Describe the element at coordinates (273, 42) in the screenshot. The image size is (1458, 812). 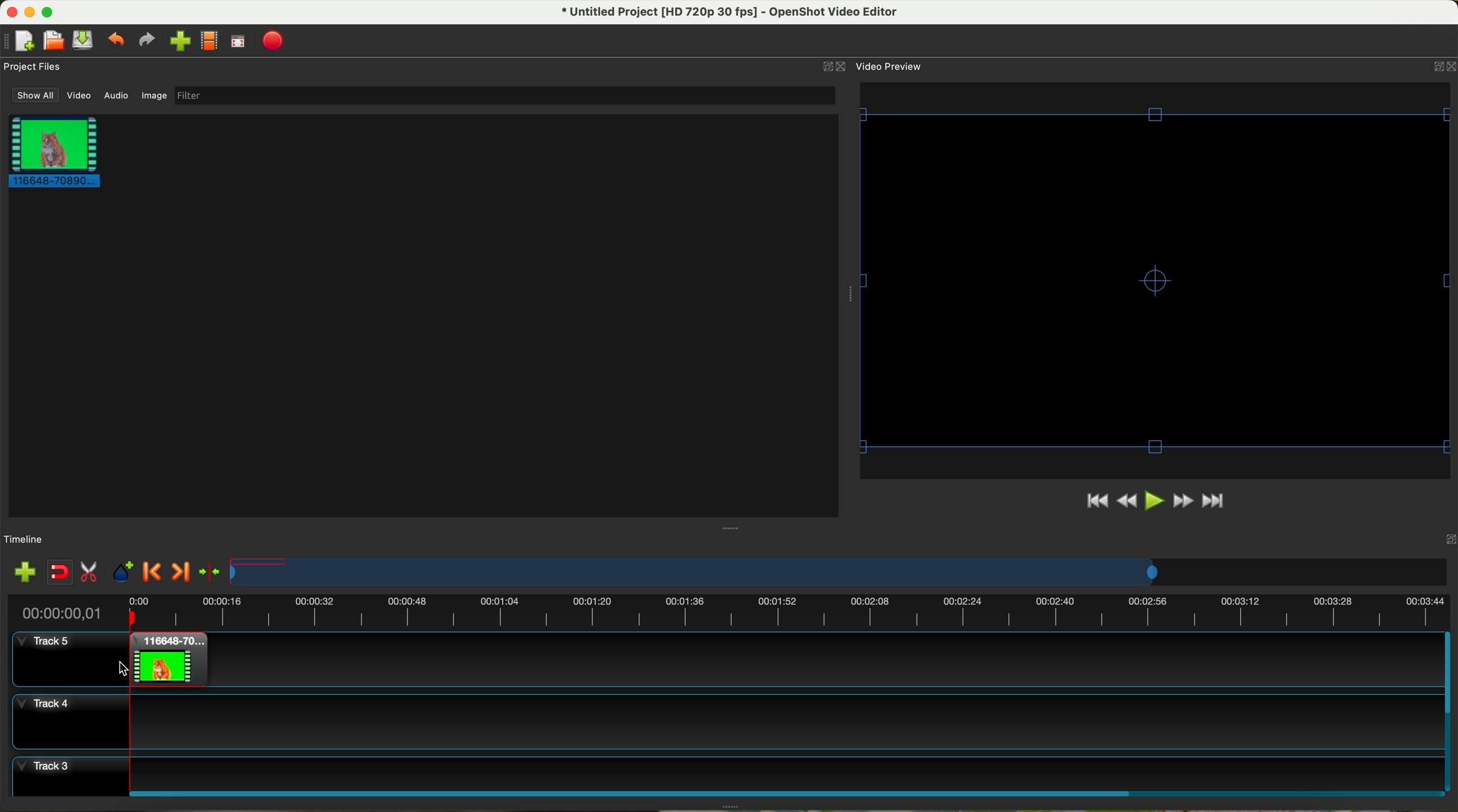
I see `export video` at that location.